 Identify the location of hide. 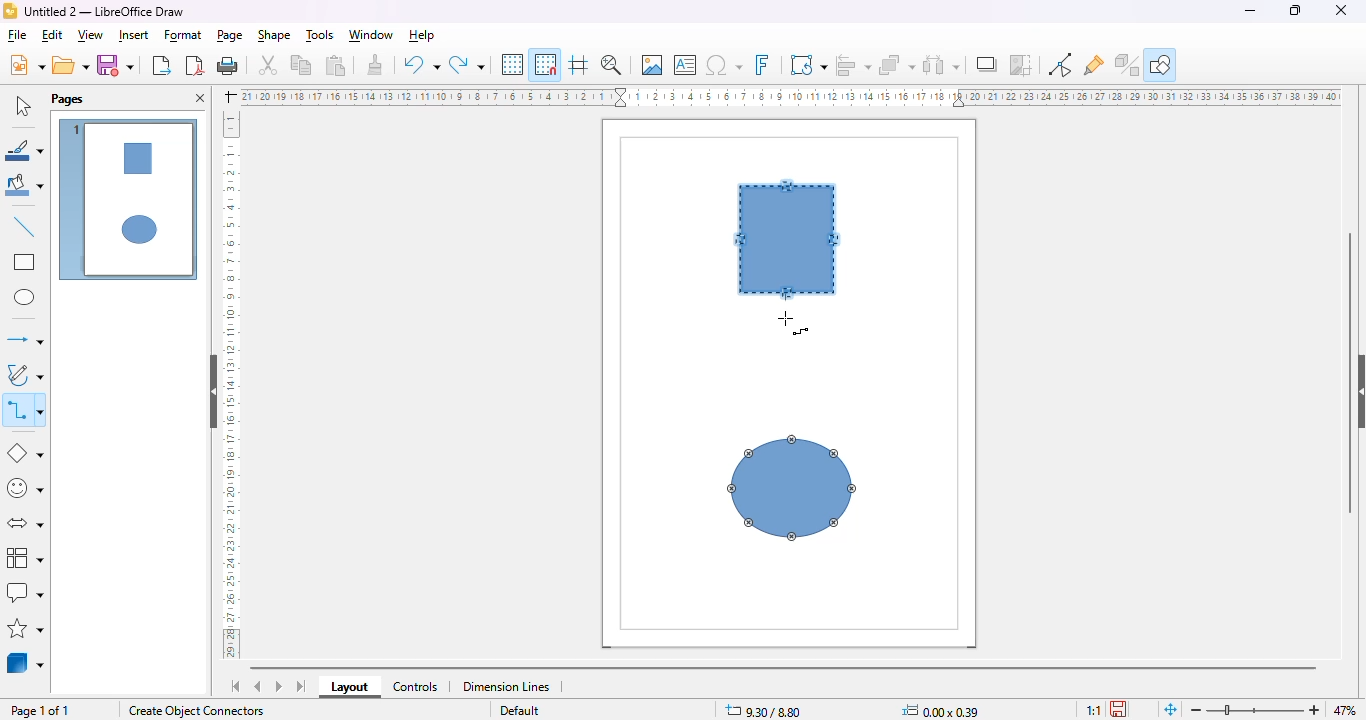
(215, 392).